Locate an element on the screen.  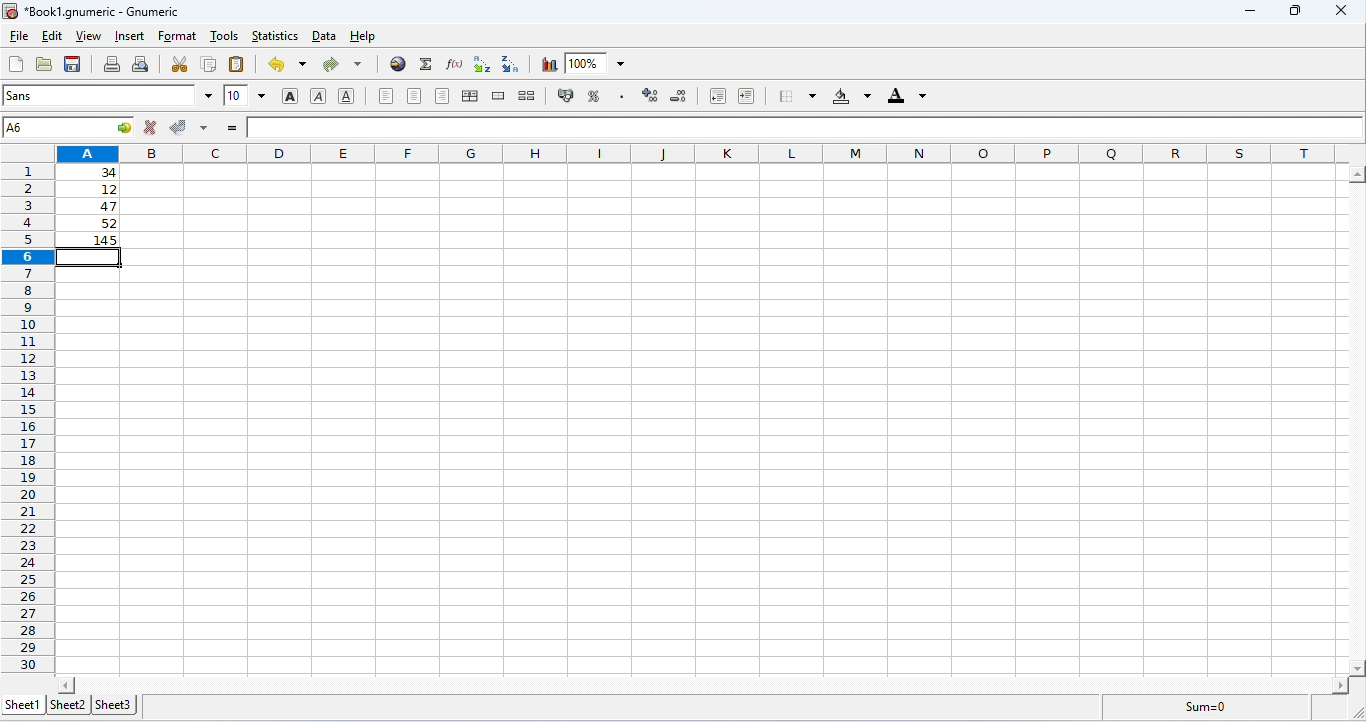
open is located at coordinates (44, 64).